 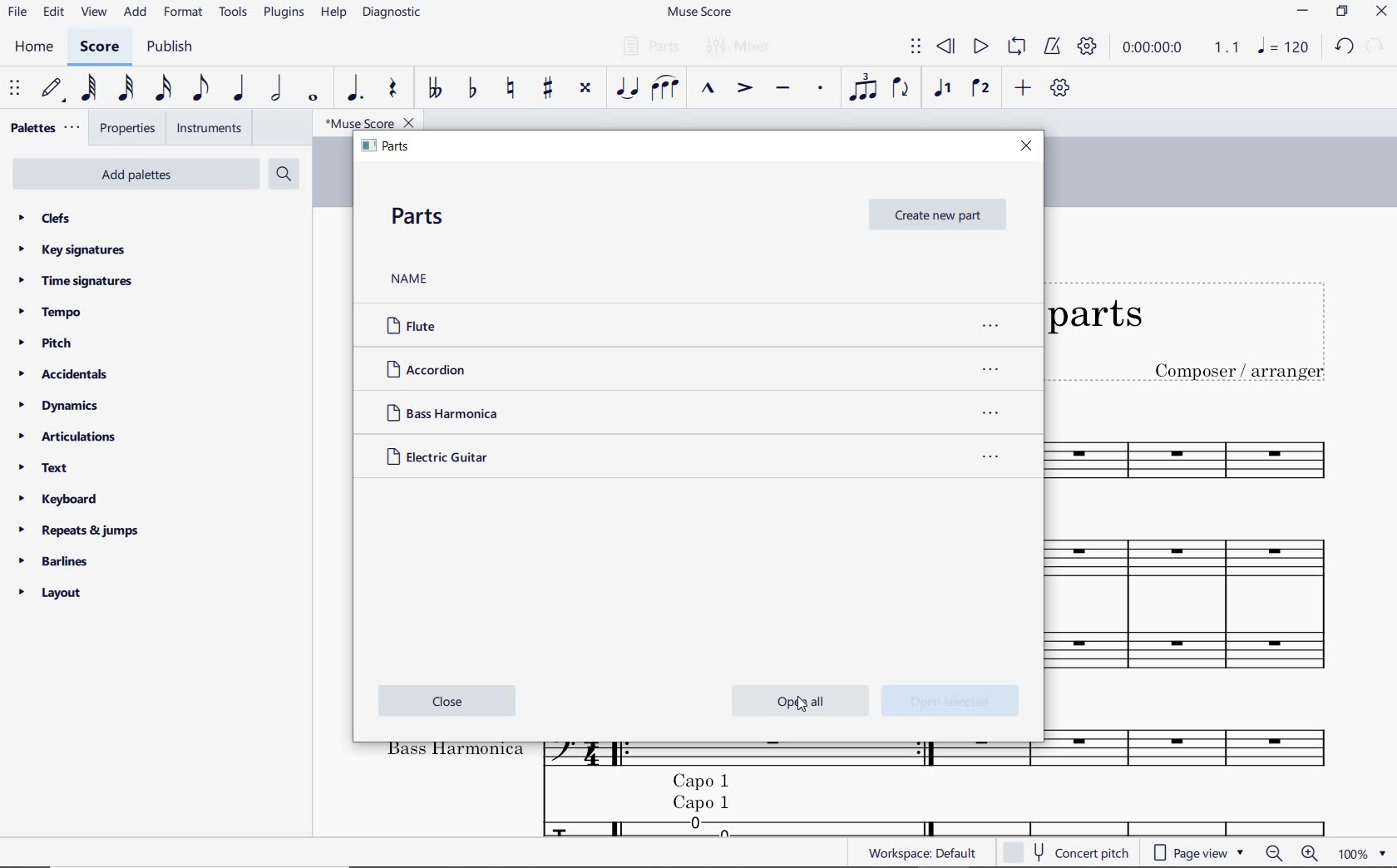 What do you see at coordinates (648, 46) in the screenshot?
I see `parts` at bounding box center [648, 46].